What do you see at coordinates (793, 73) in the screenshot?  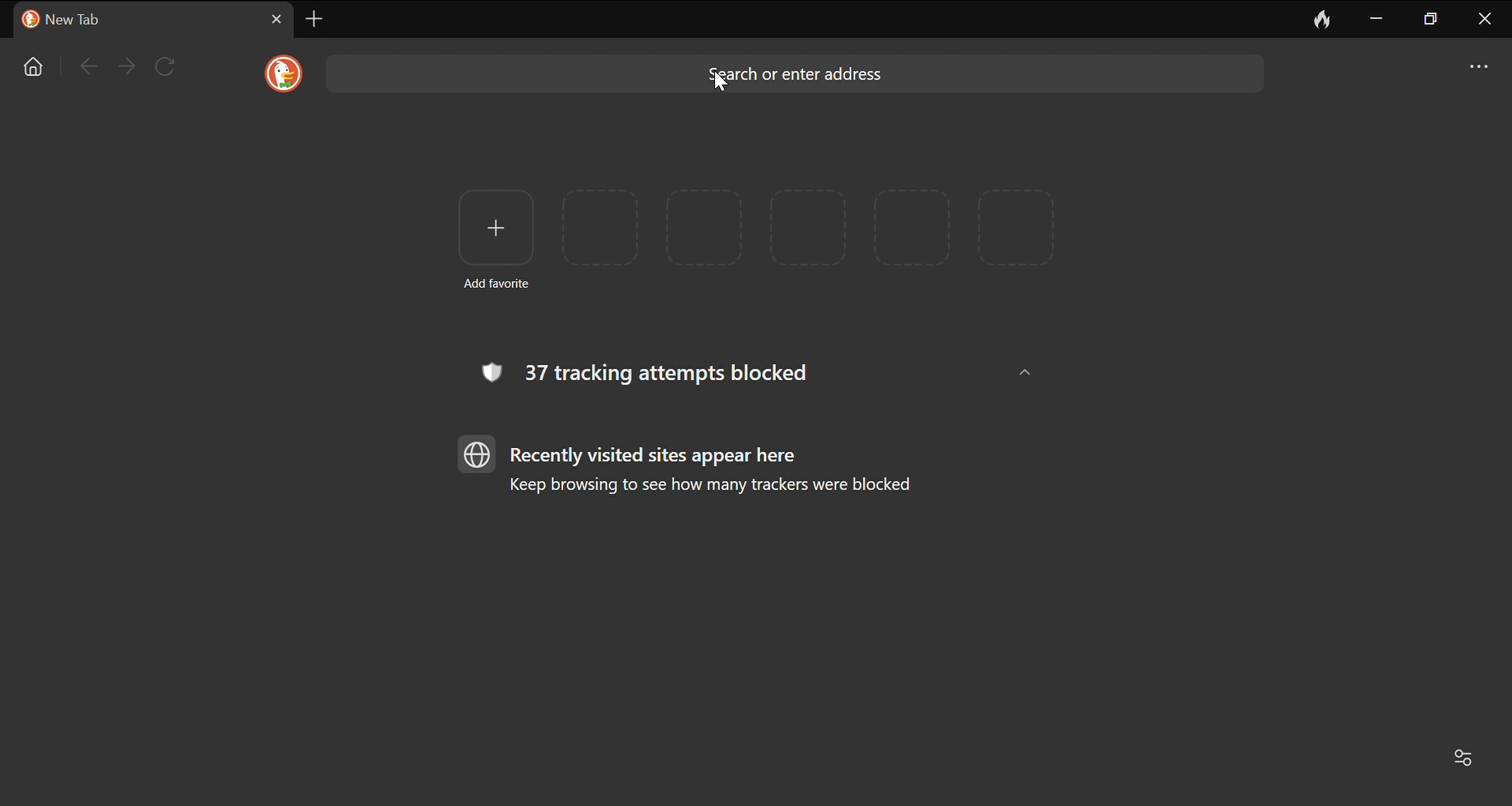 I see `Search or enter address` at bounding box center [793, 73].